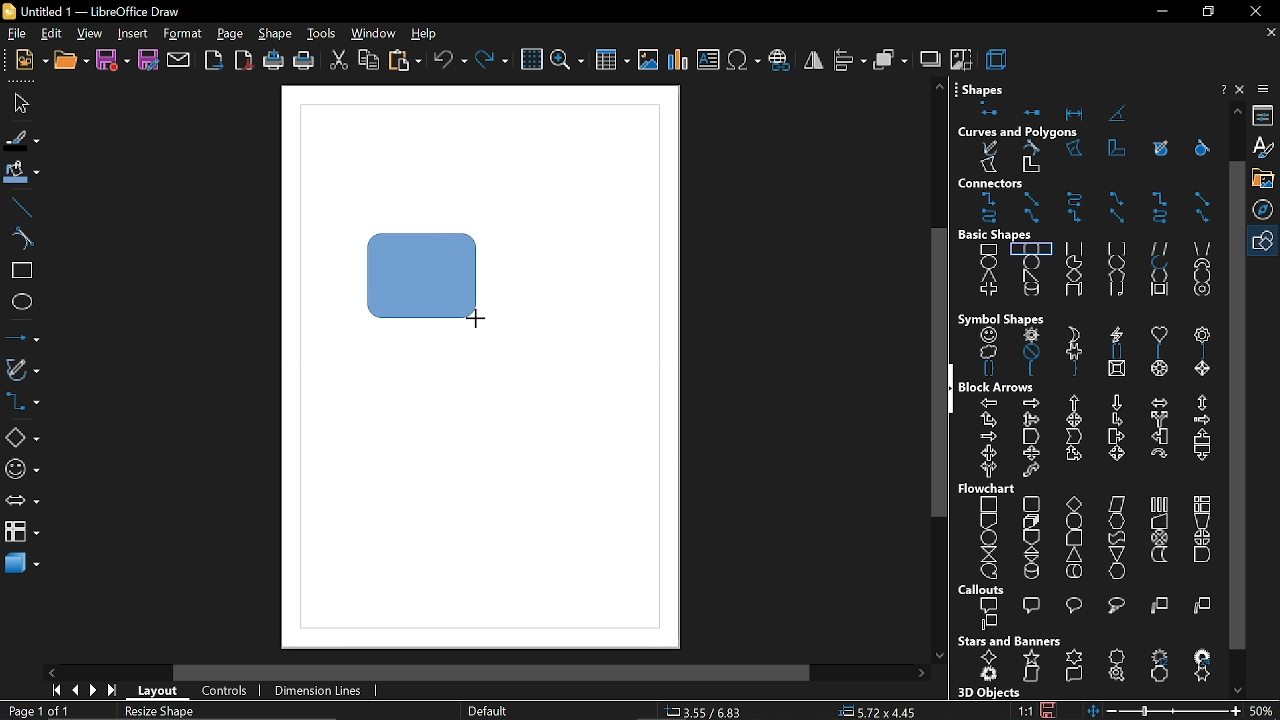 The height and width of the screenshot is (720, 1280). Describe the element at coordinates (1162, 711) in the screenshot. I see `change zoom` at that location.